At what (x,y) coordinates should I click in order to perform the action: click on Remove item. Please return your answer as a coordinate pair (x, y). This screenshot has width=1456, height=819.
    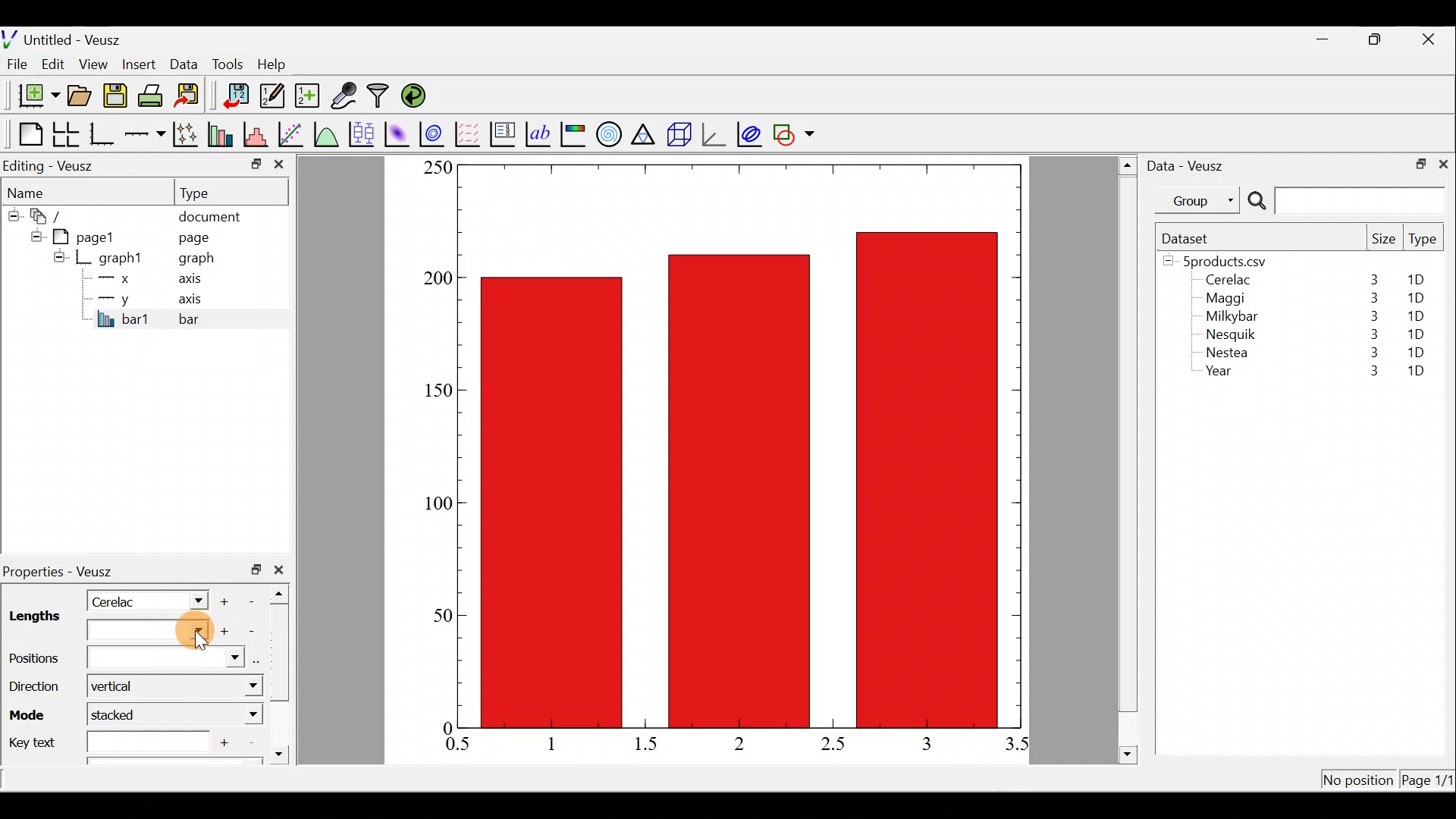
    Looking at the image, I should click on (256, 600).